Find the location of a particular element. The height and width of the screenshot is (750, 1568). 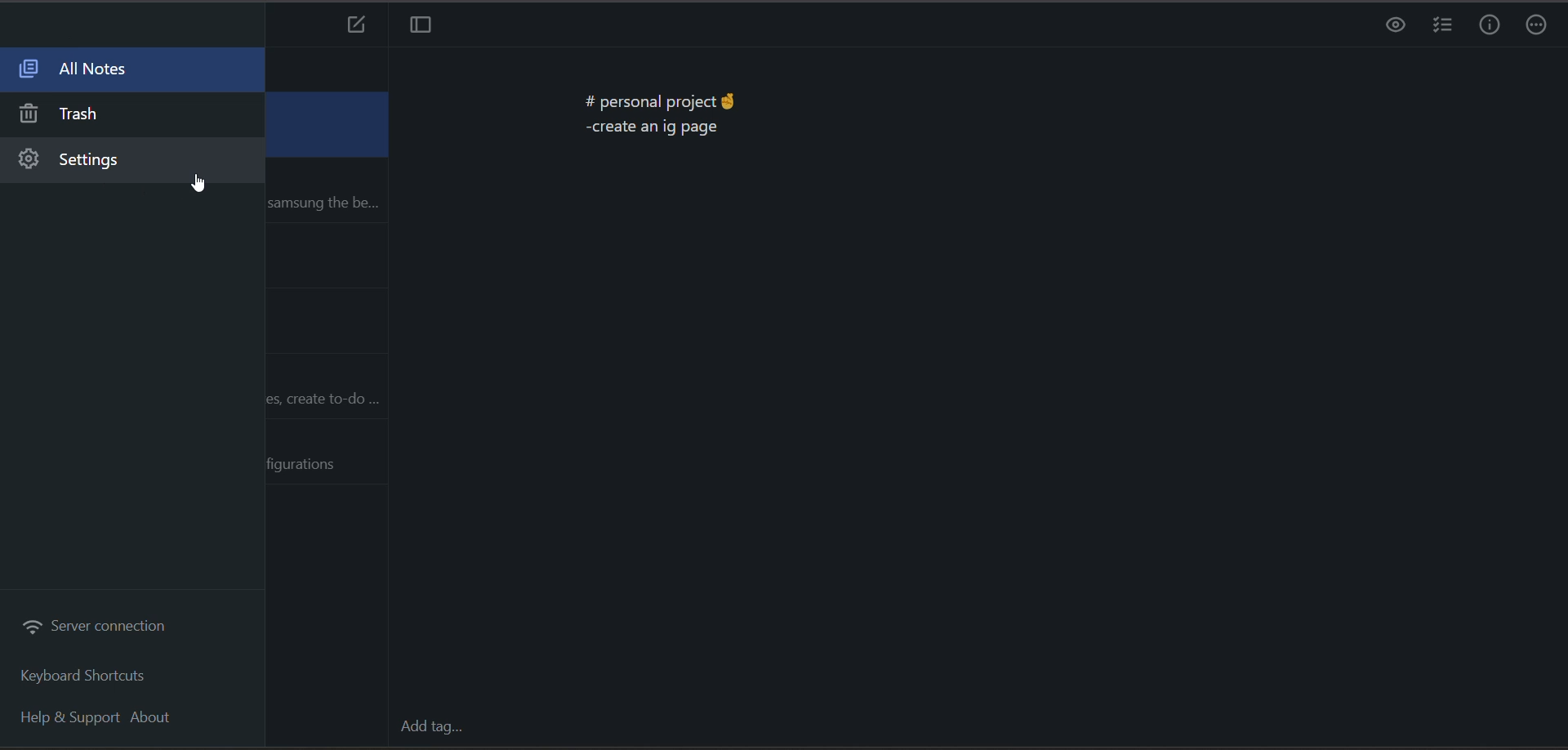

new note is located at coordinates (353, 25).